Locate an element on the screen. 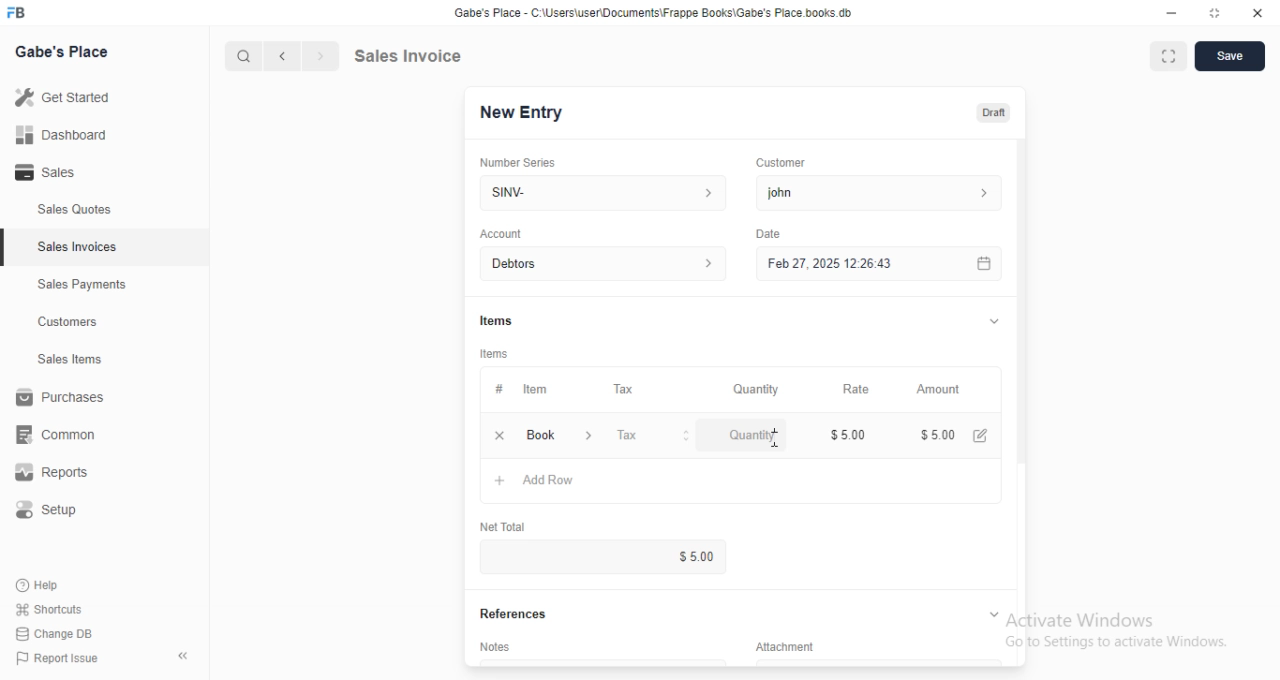 The width and height of the screenshot is (1280, 680). Book is located at coordinates (563, 436).